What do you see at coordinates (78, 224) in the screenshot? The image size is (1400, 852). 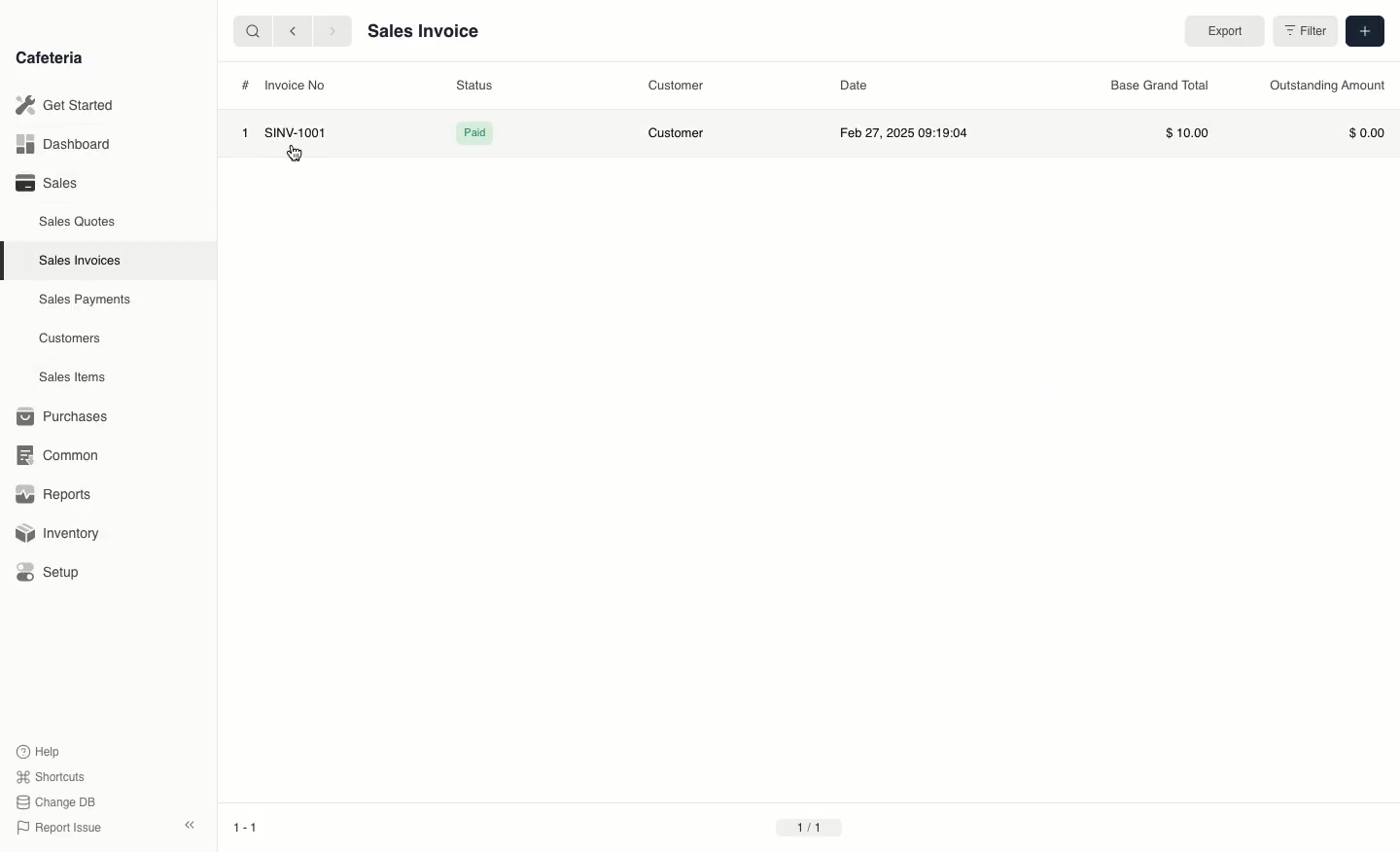 I see `Sales Quotes` at bounding box center [78, 224].